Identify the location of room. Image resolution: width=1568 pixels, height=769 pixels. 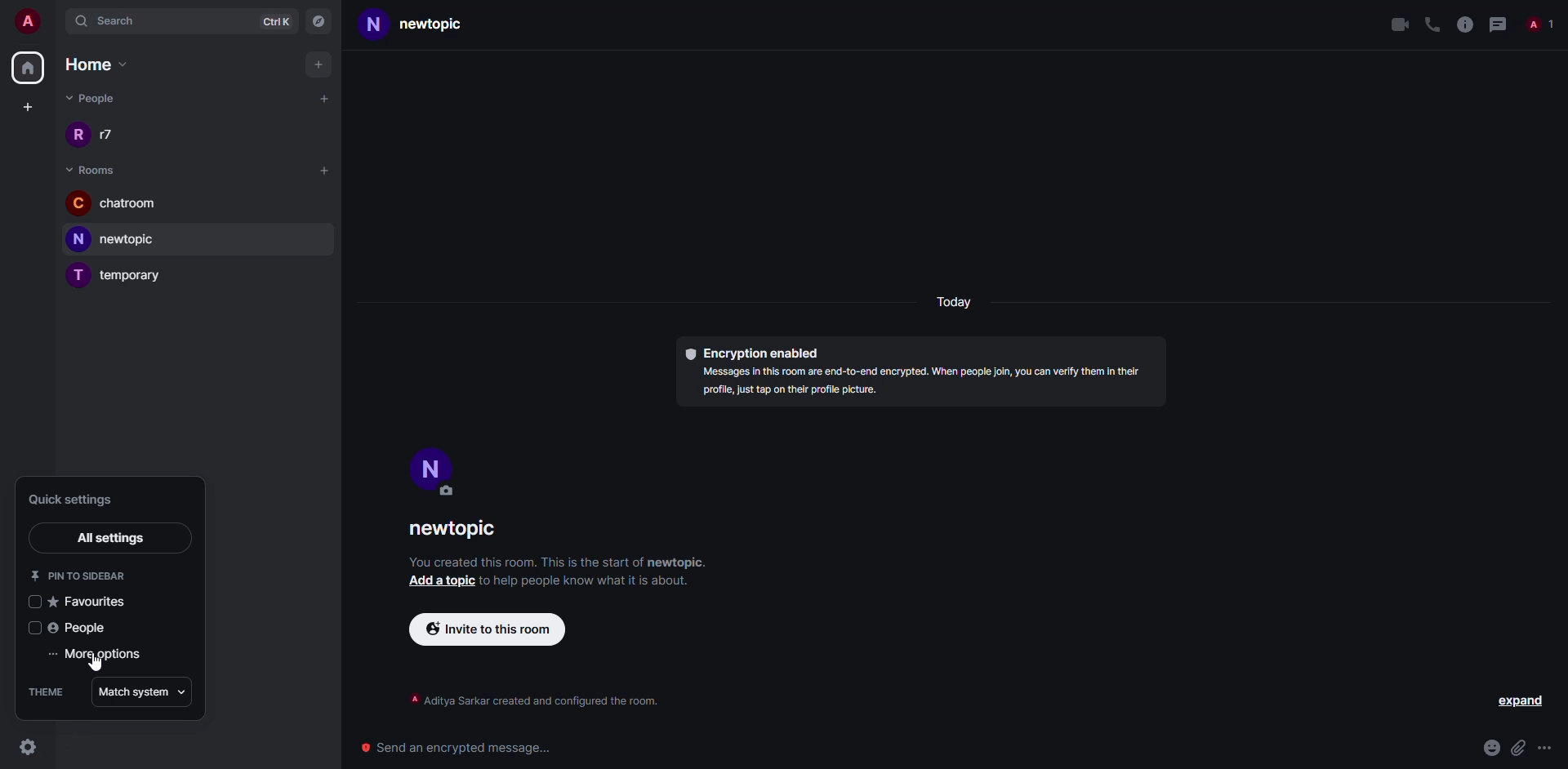
(126, 276).